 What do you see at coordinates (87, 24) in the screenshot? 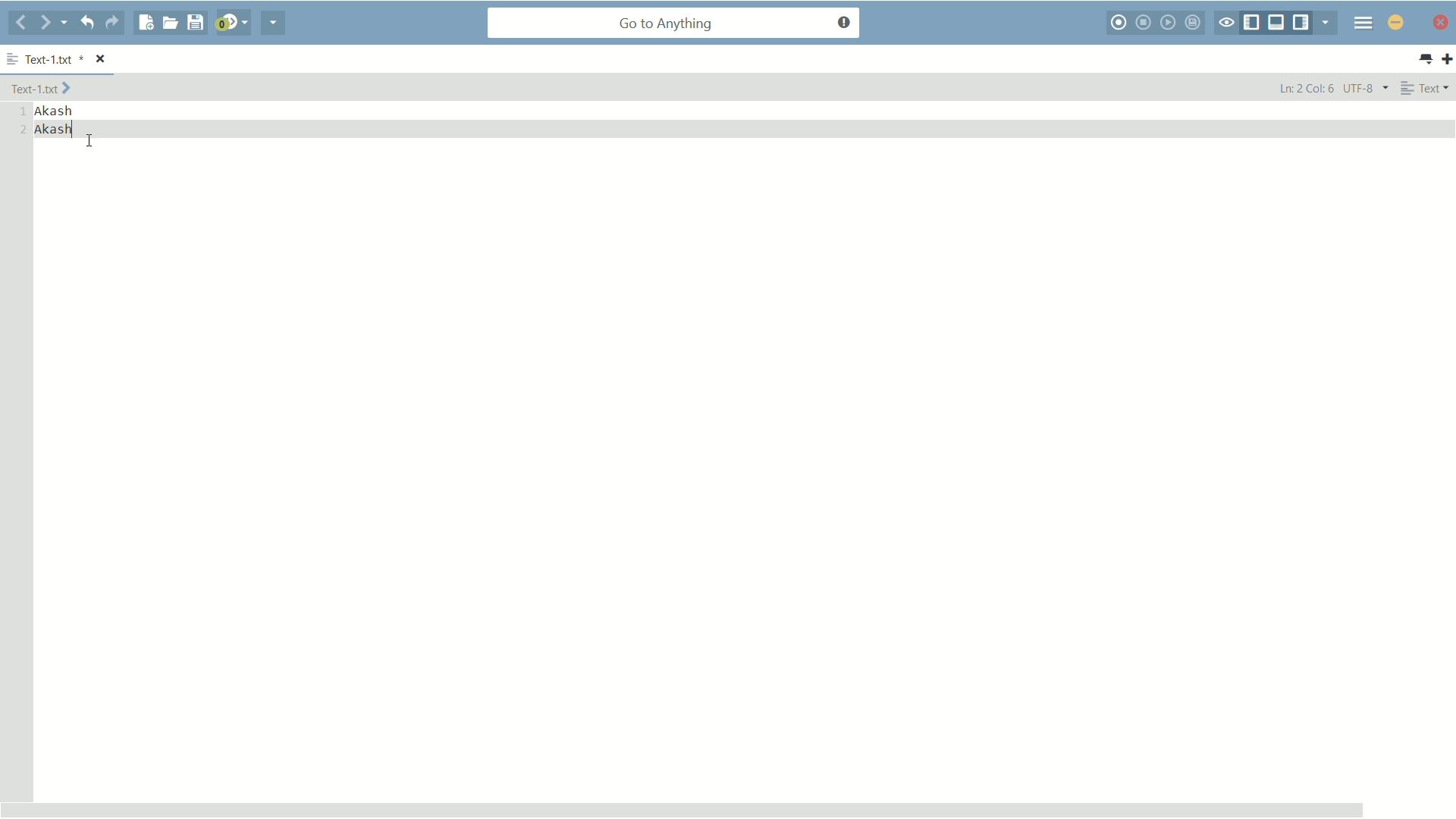
I see `undo` at bounding box center [87, 24].